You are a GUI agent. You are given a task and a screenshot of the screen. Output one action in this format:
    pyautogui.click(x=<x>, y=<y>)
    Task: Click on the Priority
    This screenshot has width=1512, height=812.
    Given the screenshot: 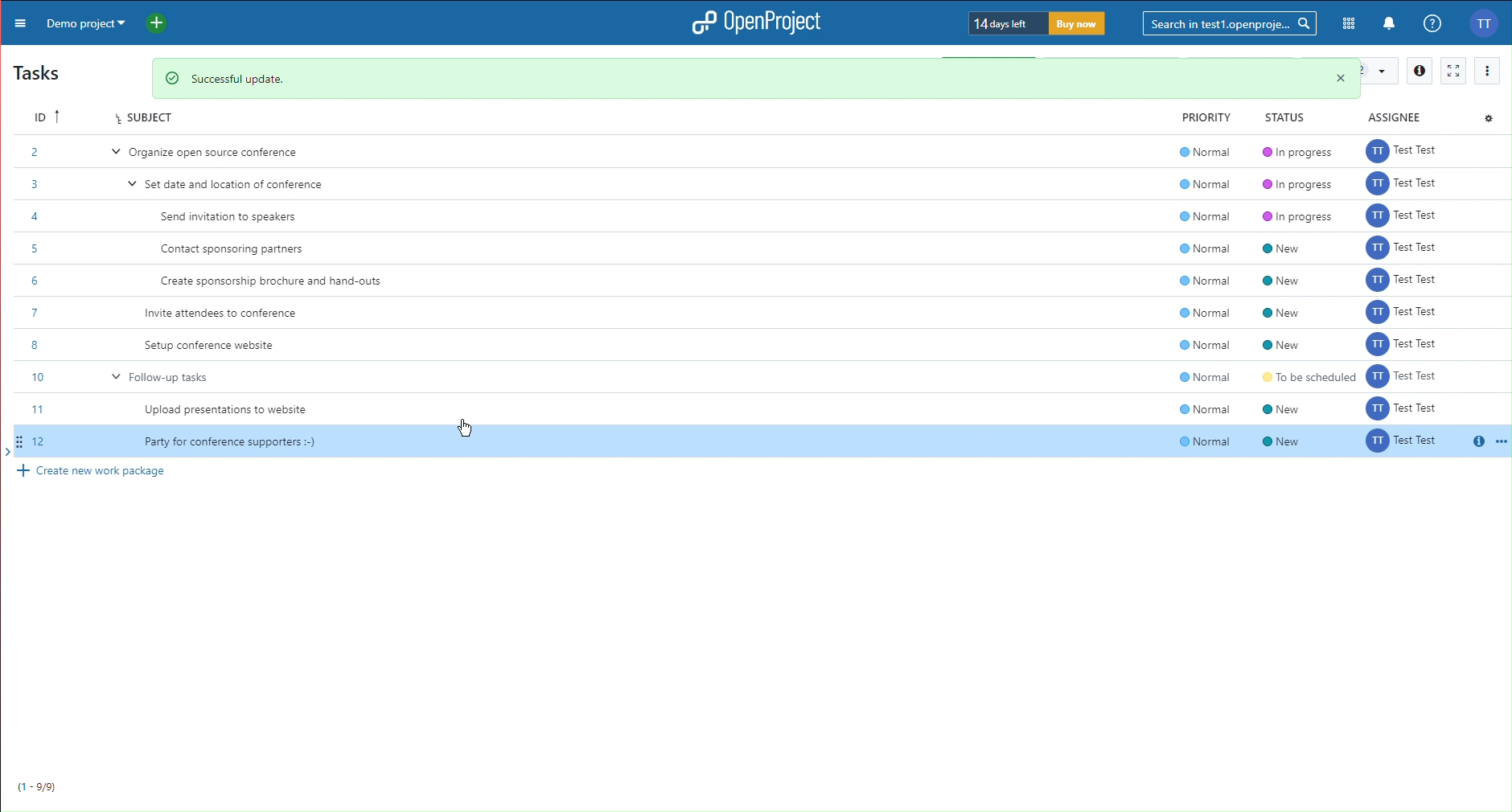 What is the action you would take?
    pyautogui.click(x=1199, y=117)
    